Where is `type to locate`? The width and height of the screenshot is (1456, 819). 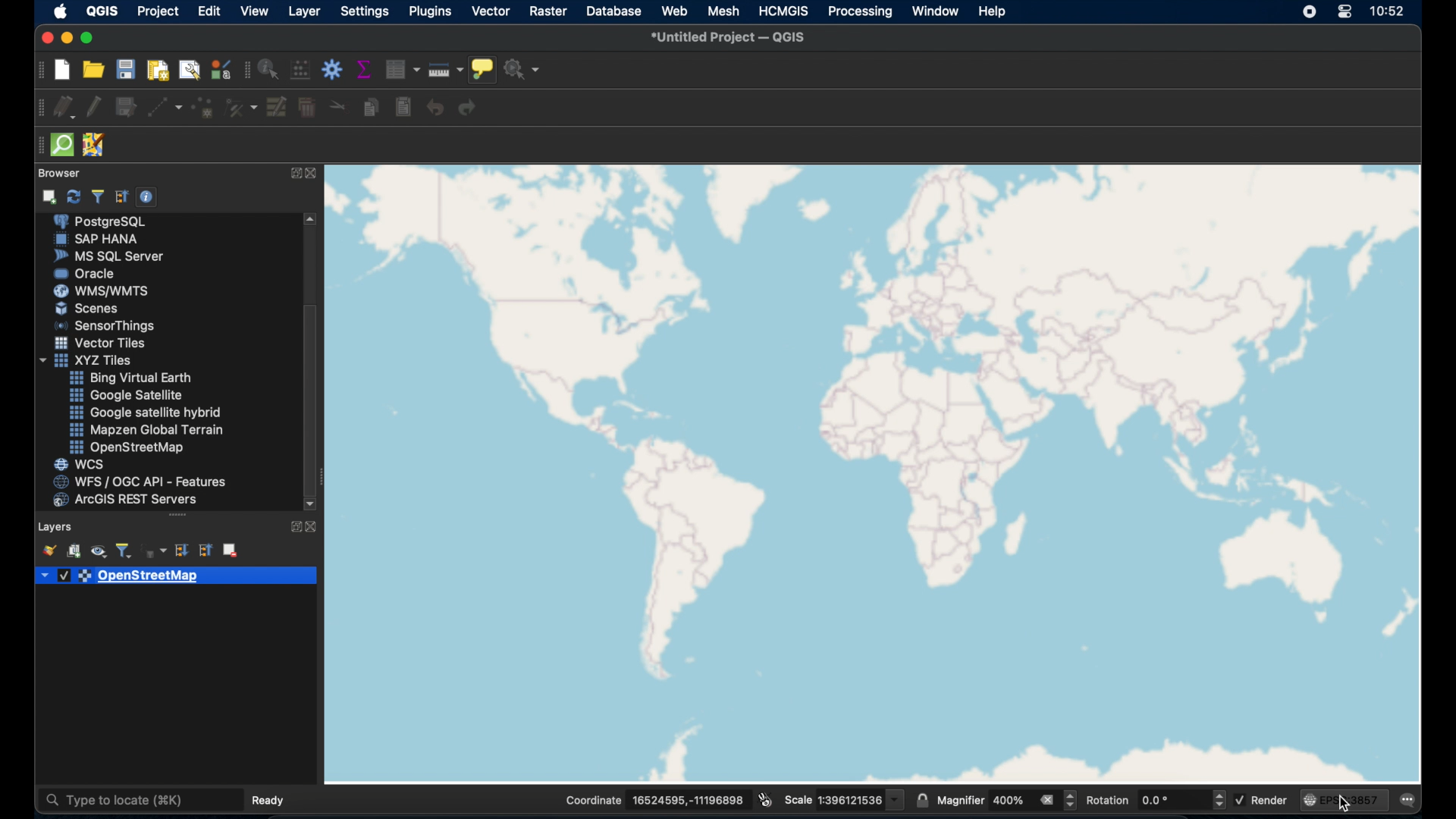
type to locate is located at coordinates (140, 799).